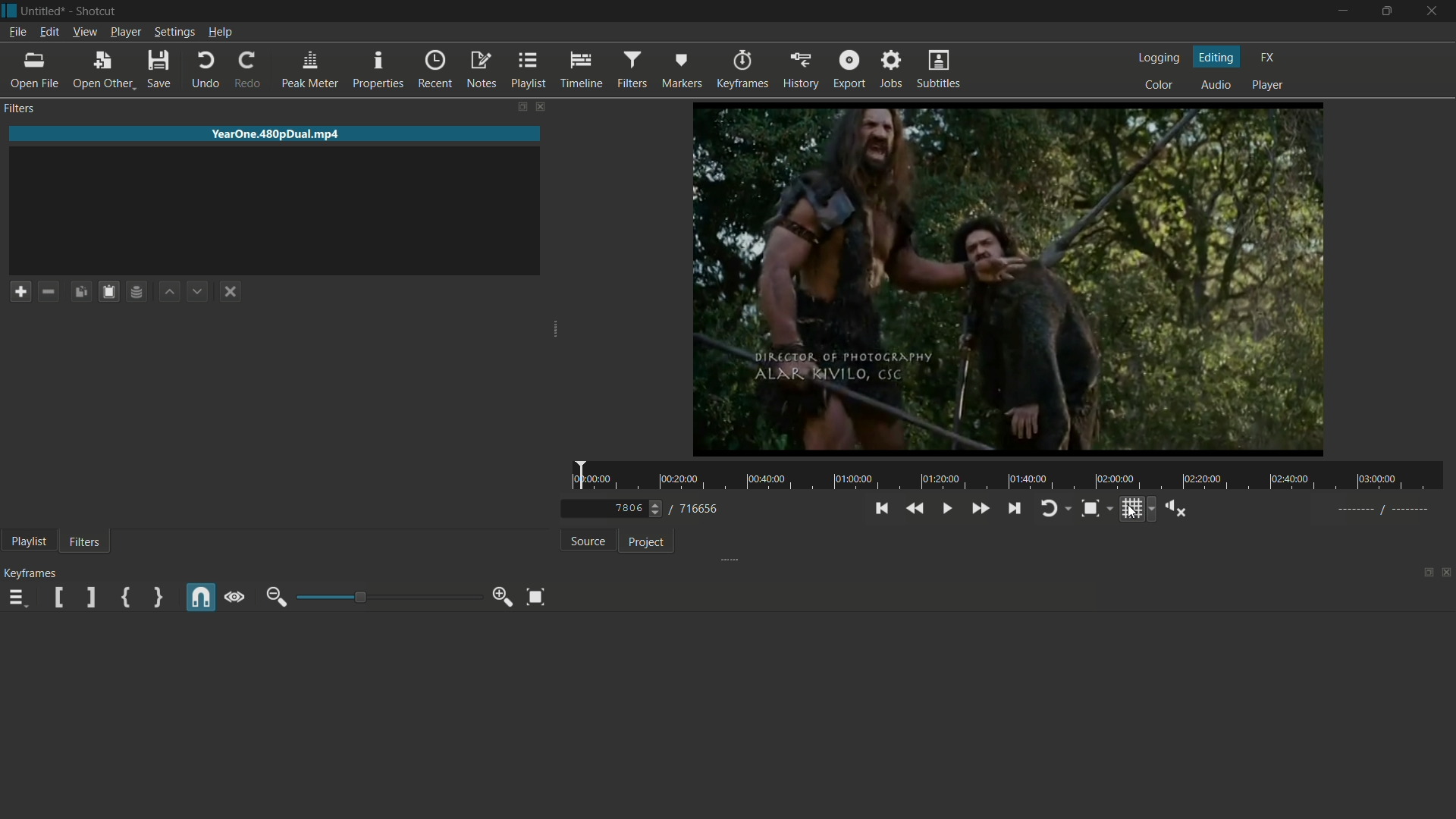 Image resolution: width=1456 pixels, height=819 pixels. I want to click on current frame, so click(627, 509).